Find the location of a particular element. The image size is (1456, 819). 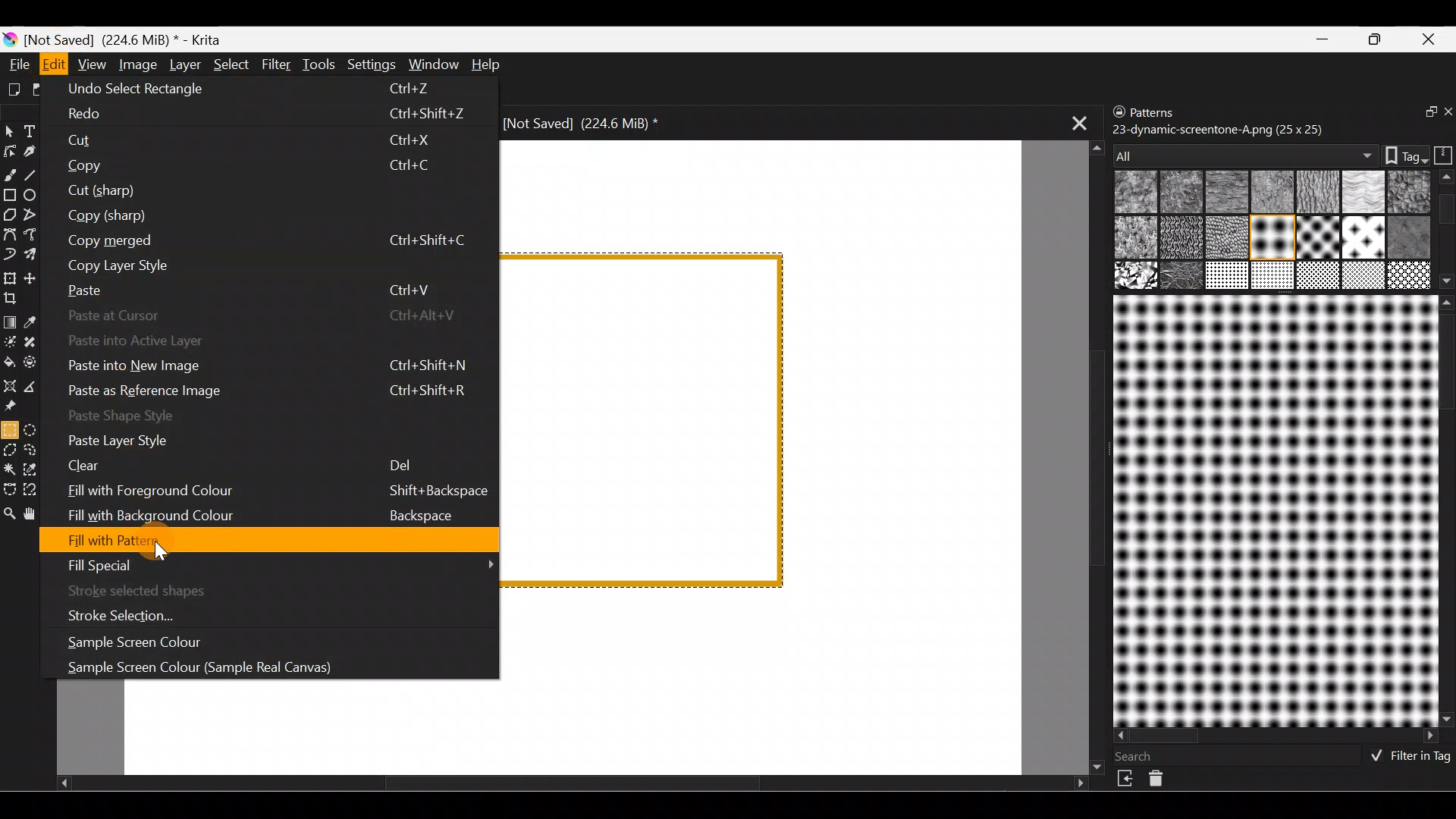

Close docker is located at coordinates (1446, 113).